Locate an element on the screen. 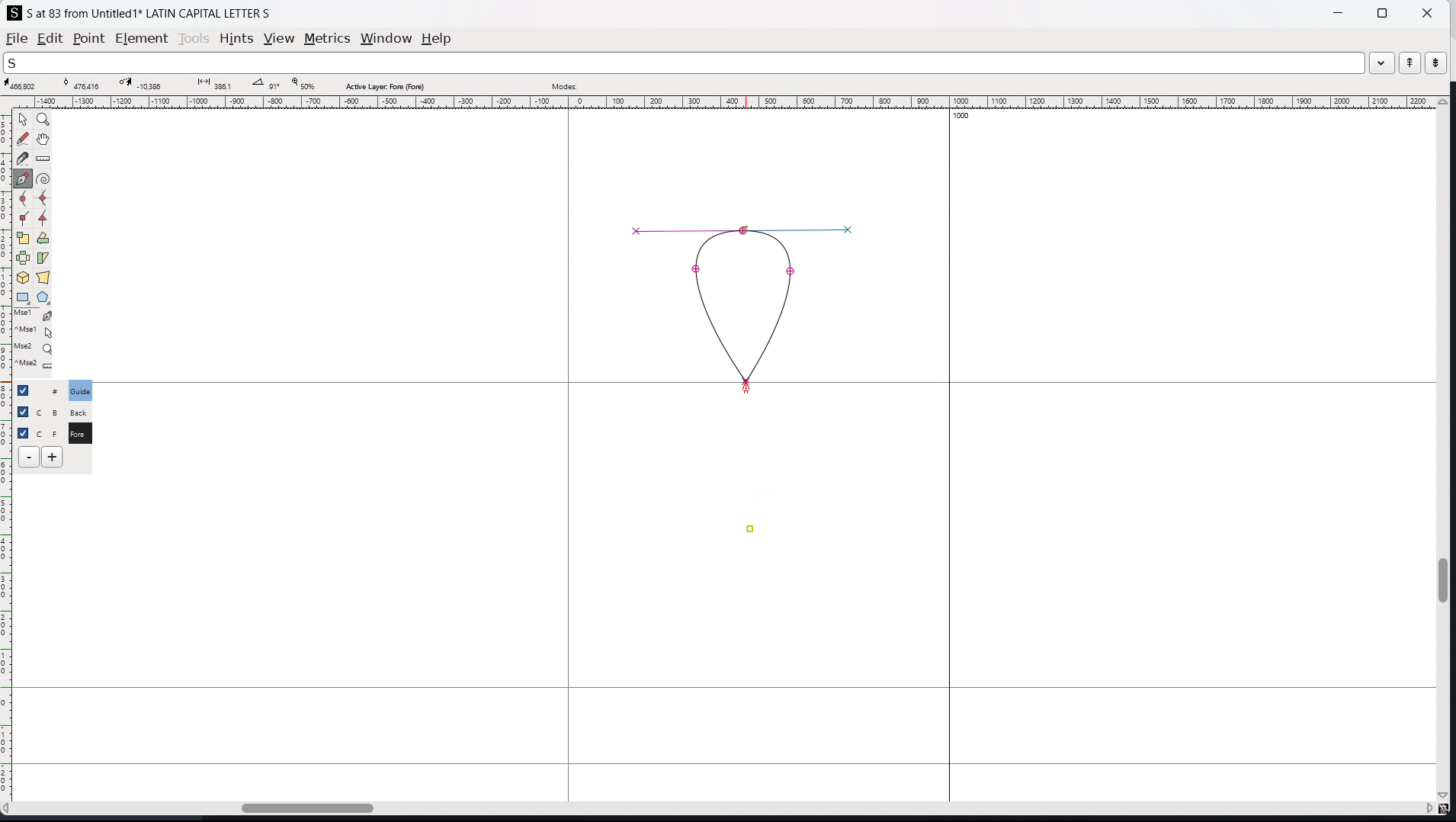  next word in the wordlist is located at coordinates (1435, 62).